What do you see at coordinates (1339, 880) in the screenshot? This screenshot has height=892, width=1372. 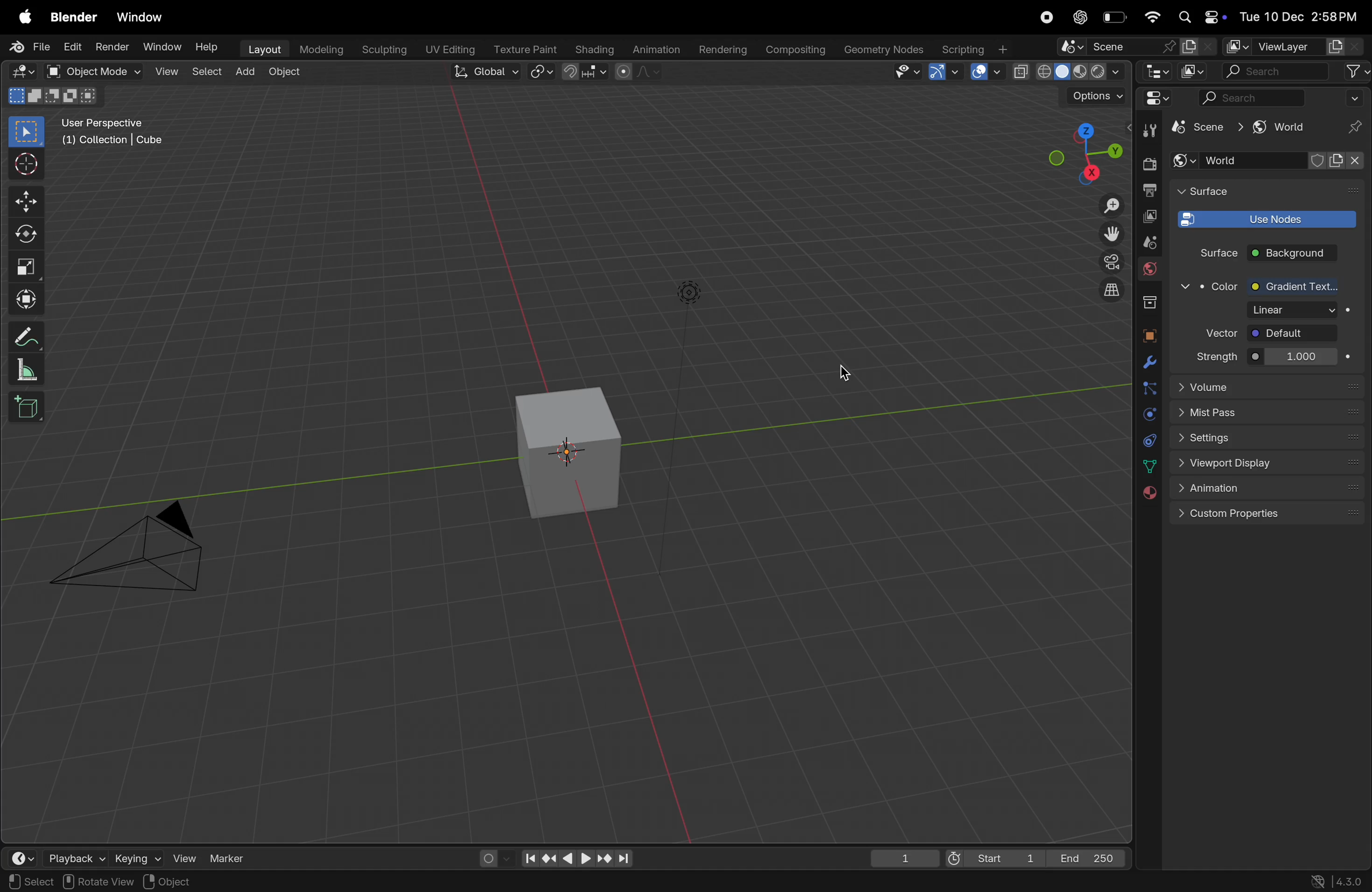 I see `Version` at bounding box center [1339, 880].